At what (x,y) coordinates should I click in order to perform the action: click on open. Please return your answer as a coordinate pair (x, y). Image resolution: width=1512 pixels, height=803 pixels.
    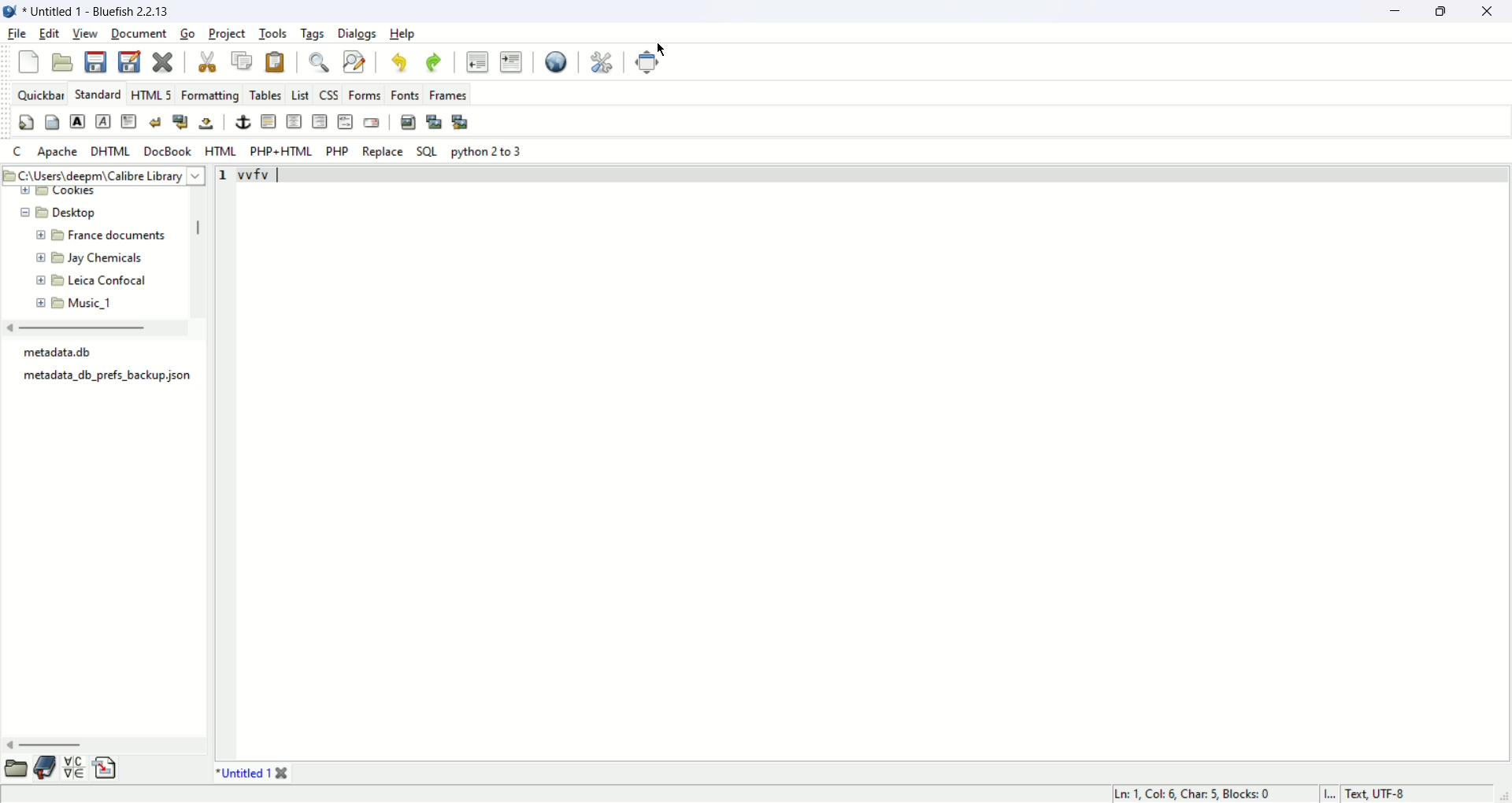
    Looking at the image, I should click on (62, 63).